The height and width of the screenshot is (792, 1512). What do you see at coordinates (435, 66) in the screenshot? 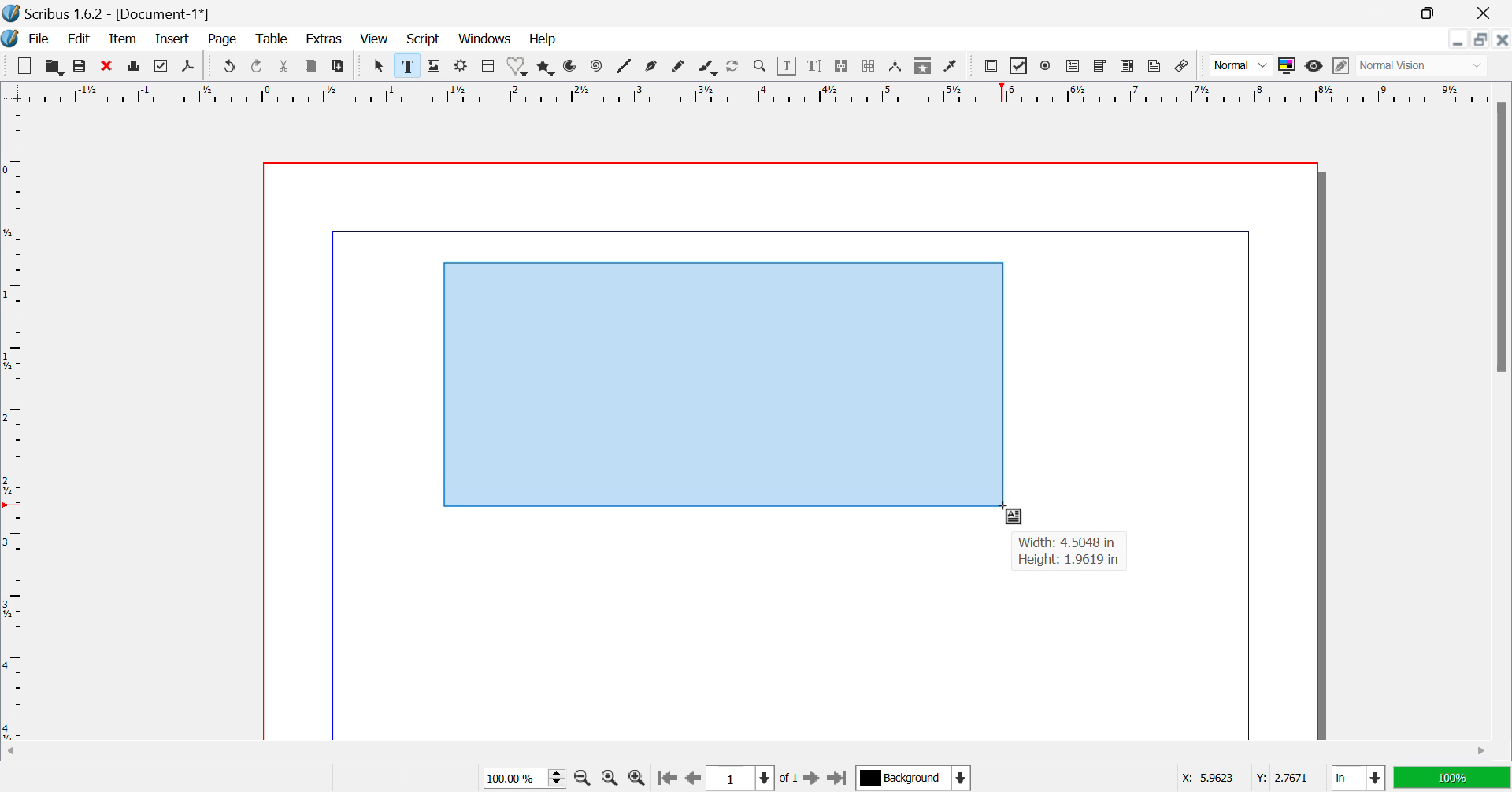
I see `Image Frame` at bounding box center [435, 66].